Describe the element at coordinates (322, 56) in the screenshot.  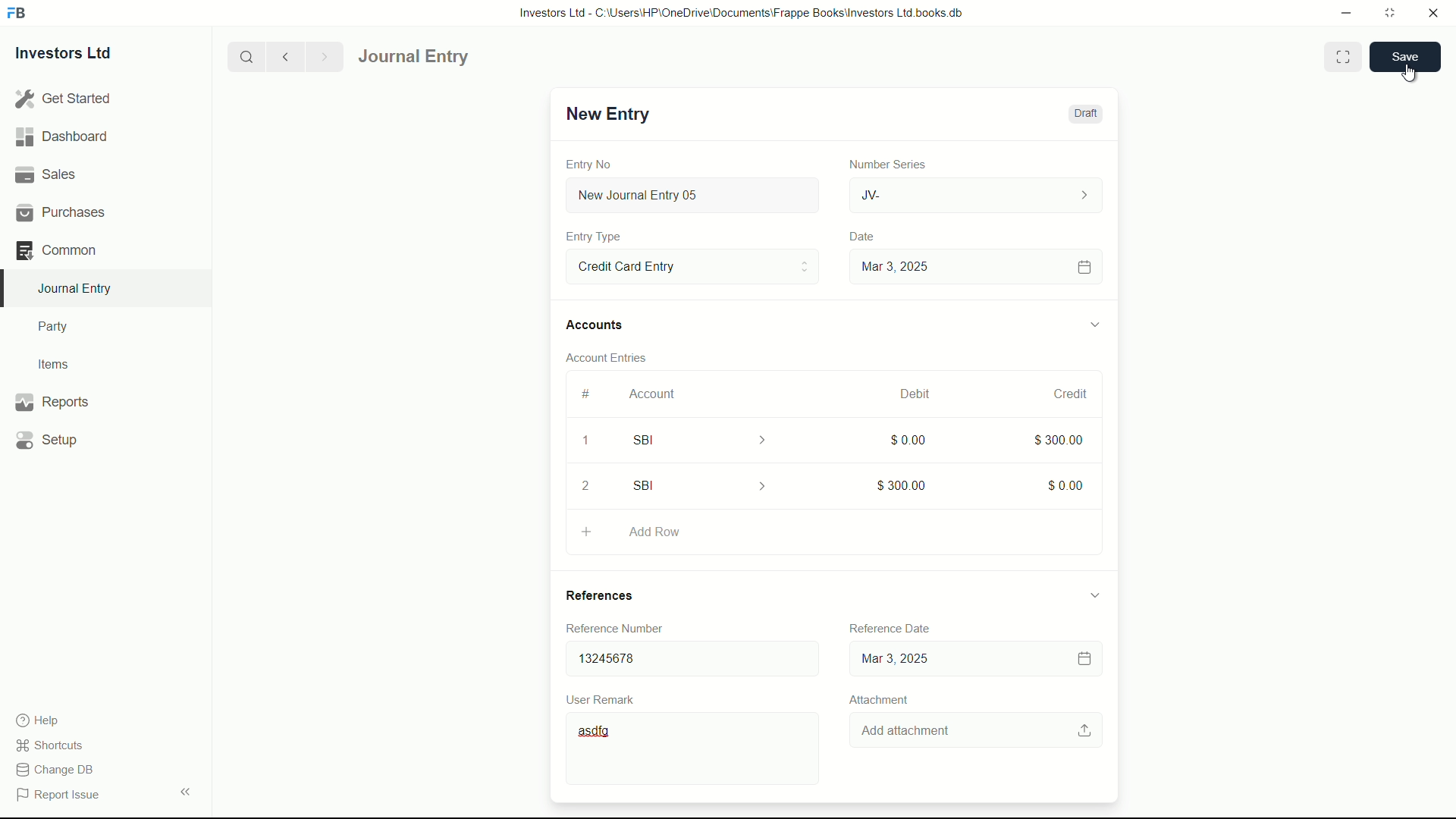
I see `Next` at that location.